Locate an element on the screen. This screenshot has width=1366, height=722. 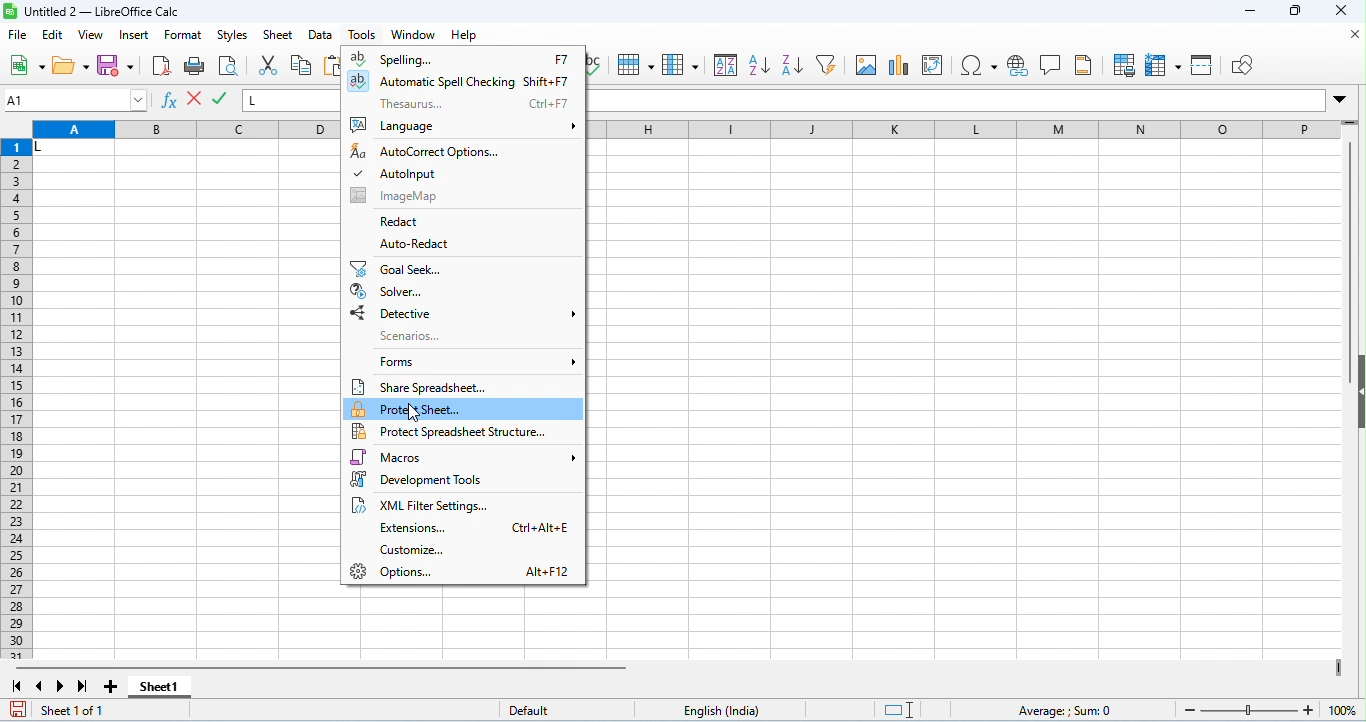
row numbers is located at coordinates (18, 399).